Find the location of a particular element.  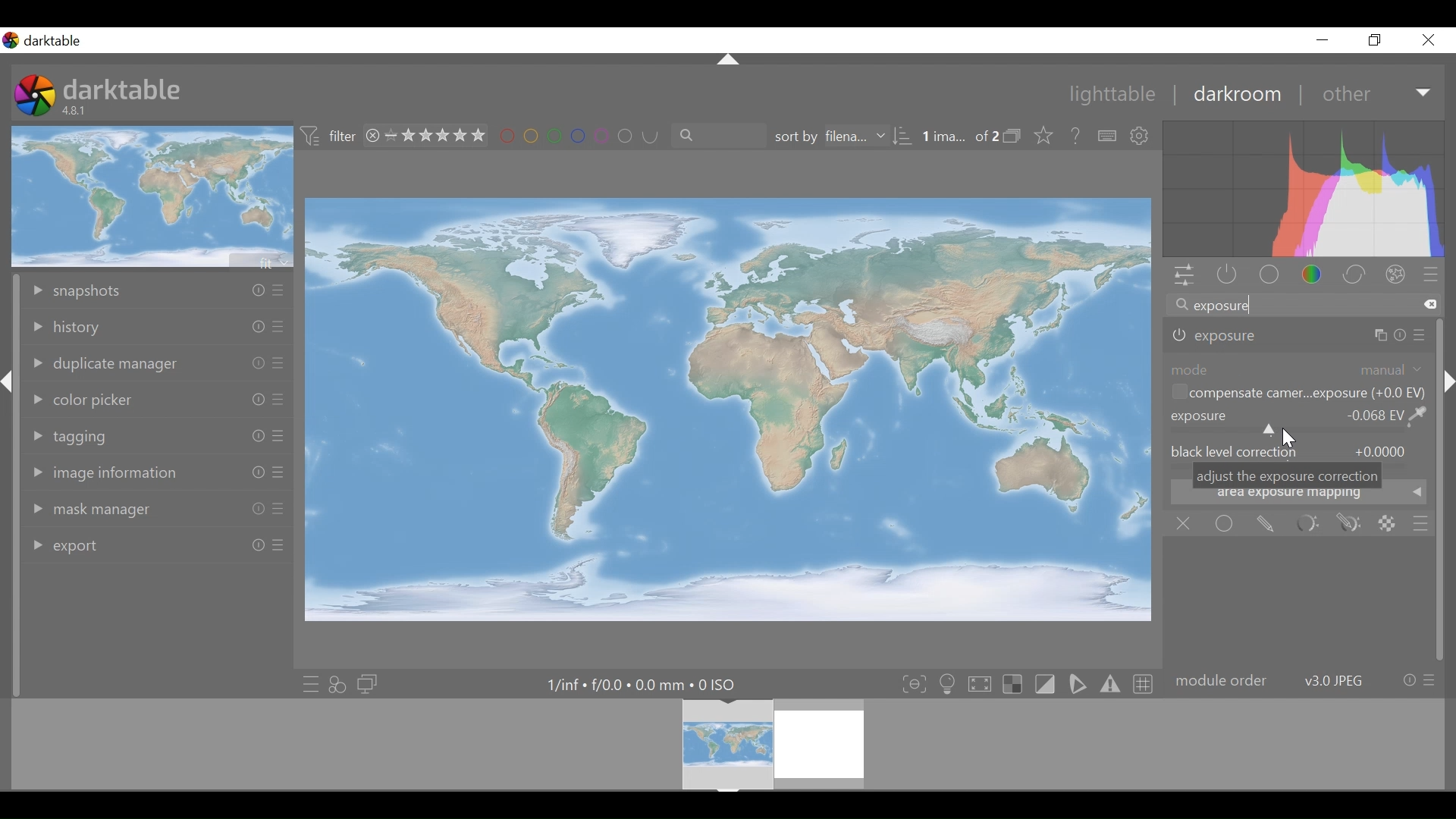

hide is located at coordinates (1447, 383).